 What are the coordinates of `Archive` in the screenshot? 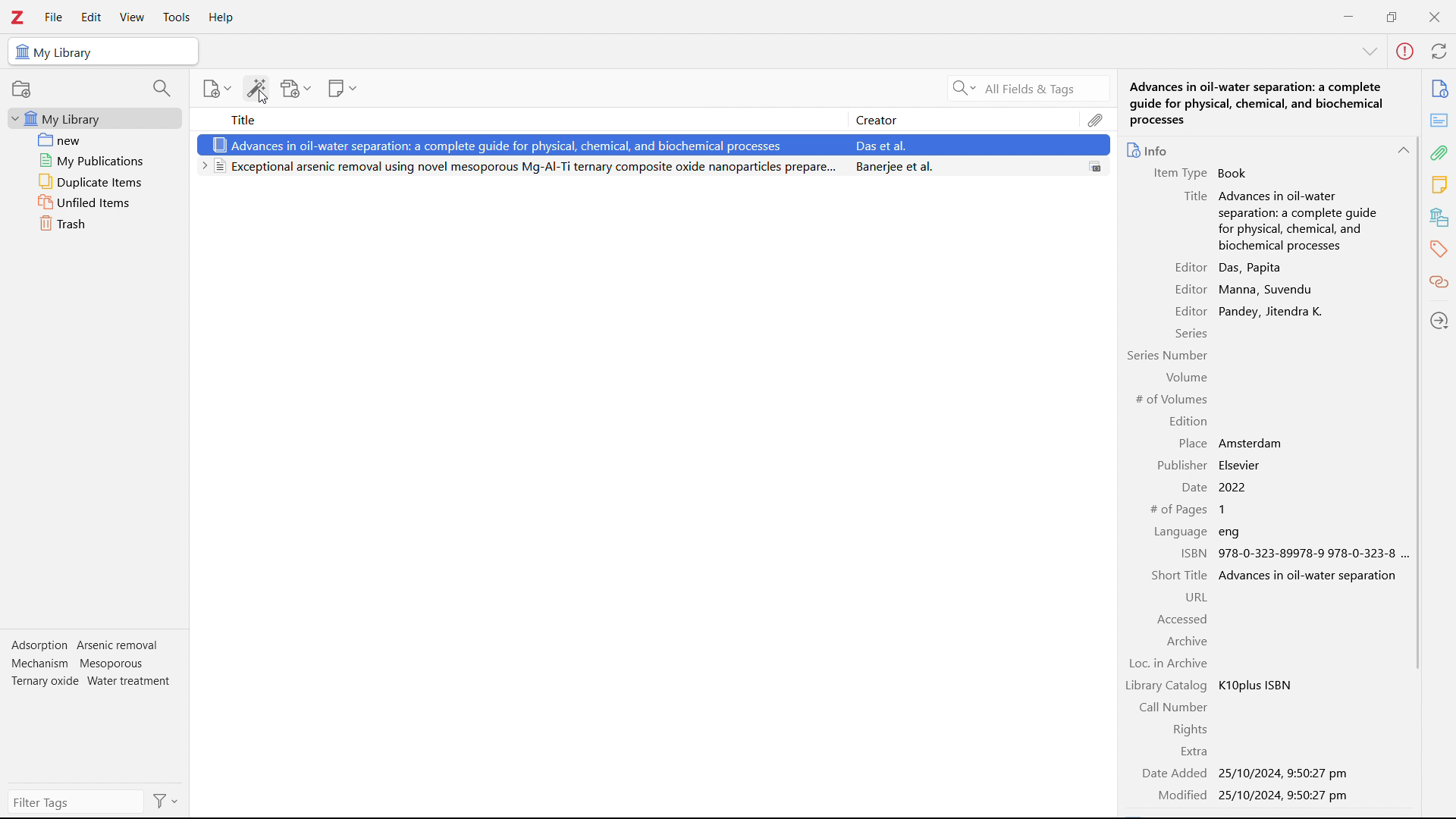 It's located at (1187, 640).